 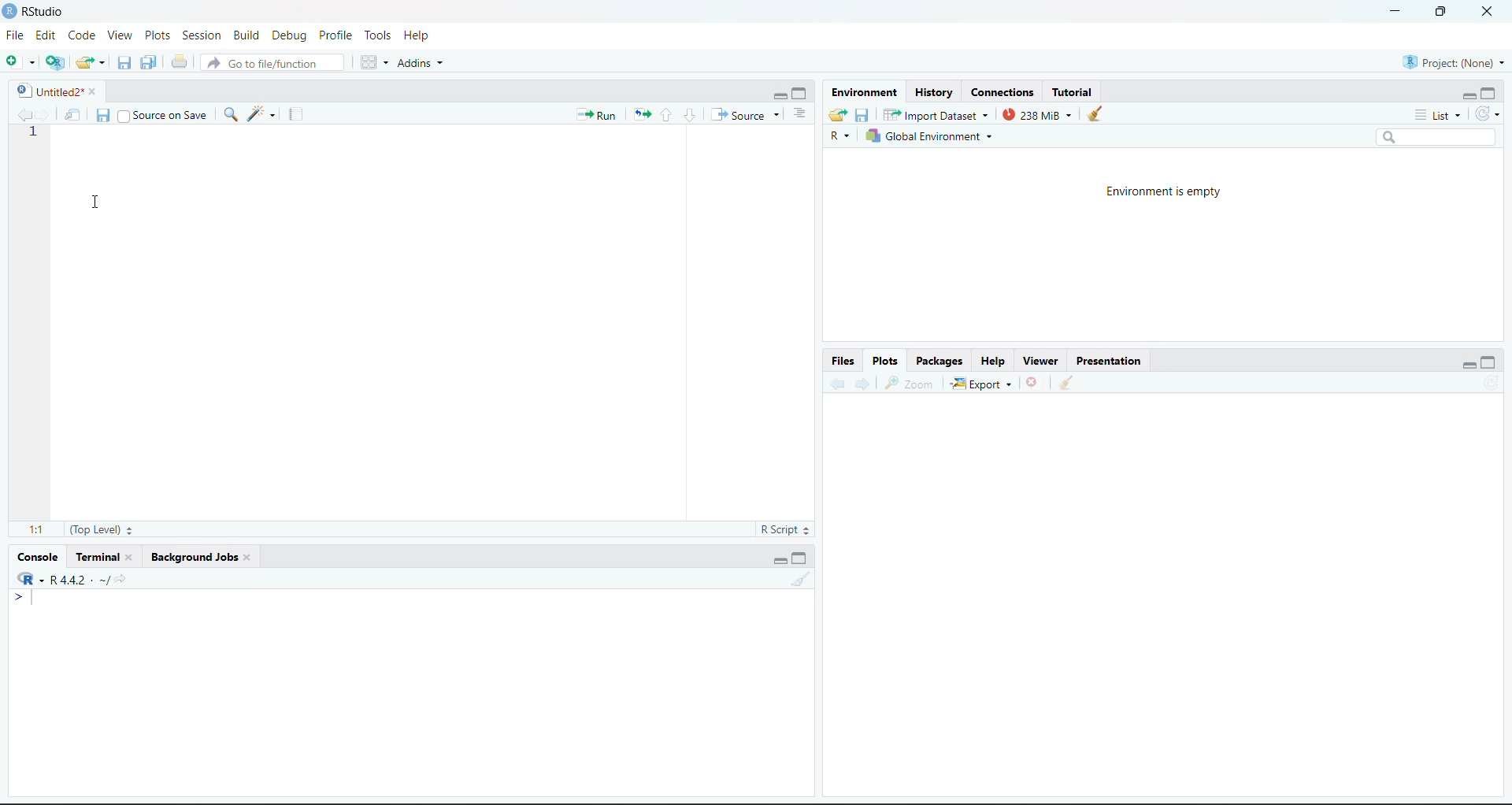 I want to click on search, so click(x=230, y=114).